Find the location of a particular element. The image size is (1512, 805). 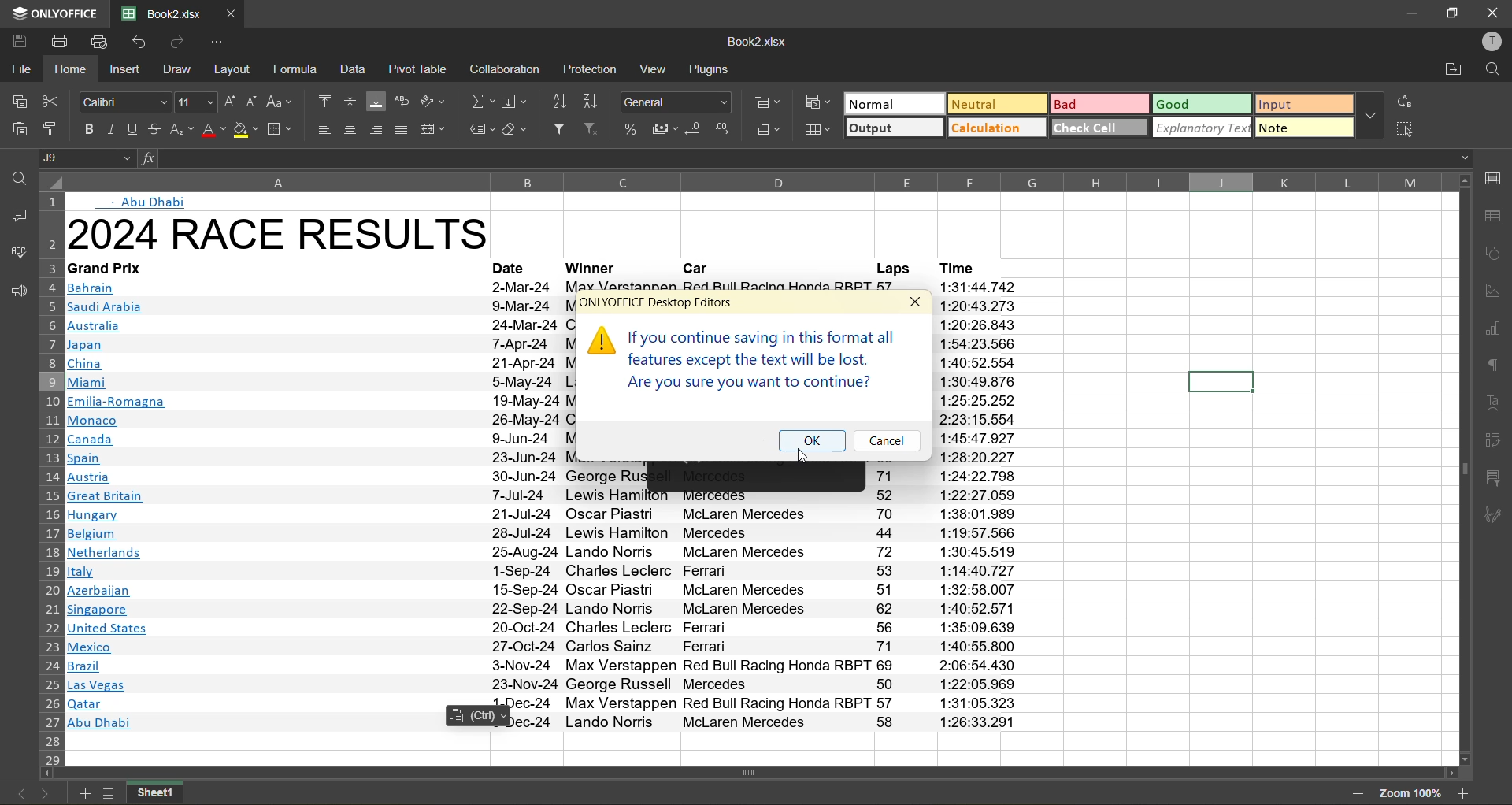

find is located at coordinates (1494, 70).